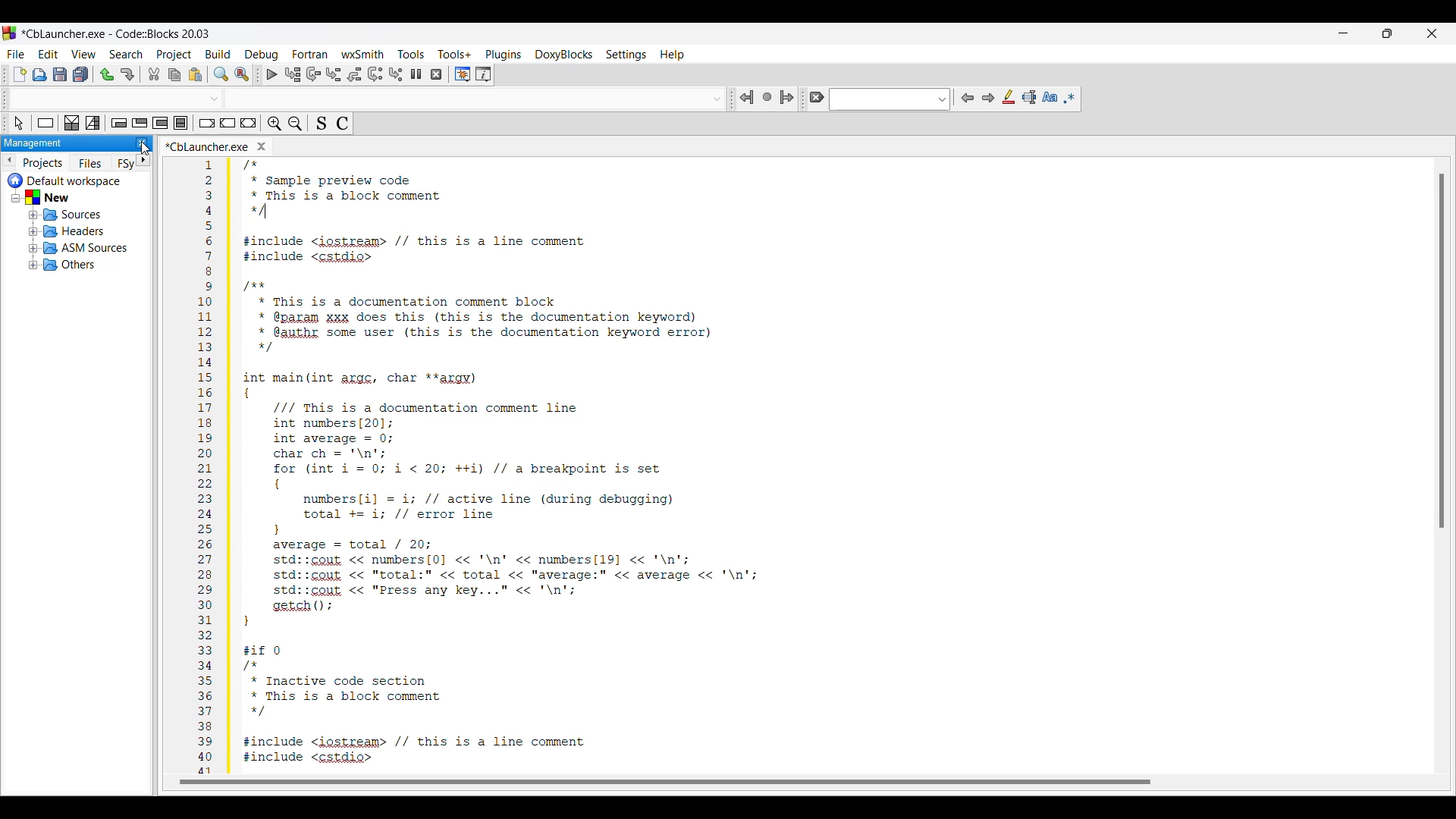 This screenshot has height=819, width=1456. What do you see at coordinates (817, 97) in the screenshot?
I see `Clear` at bounding box center [817, 97].